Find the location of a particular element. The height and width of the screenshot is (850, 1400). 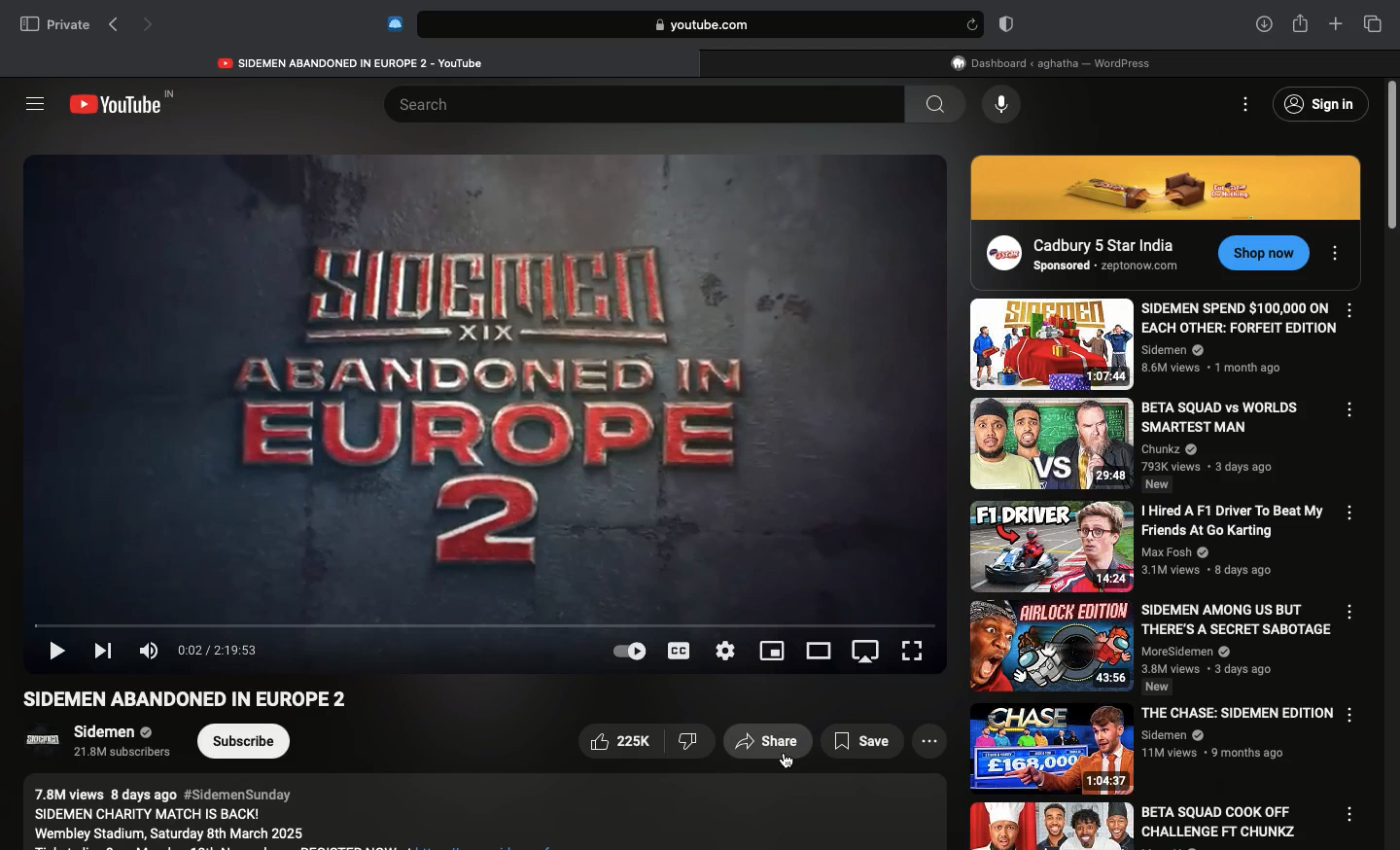

Screen orientation is located at coordinates (869, 655).